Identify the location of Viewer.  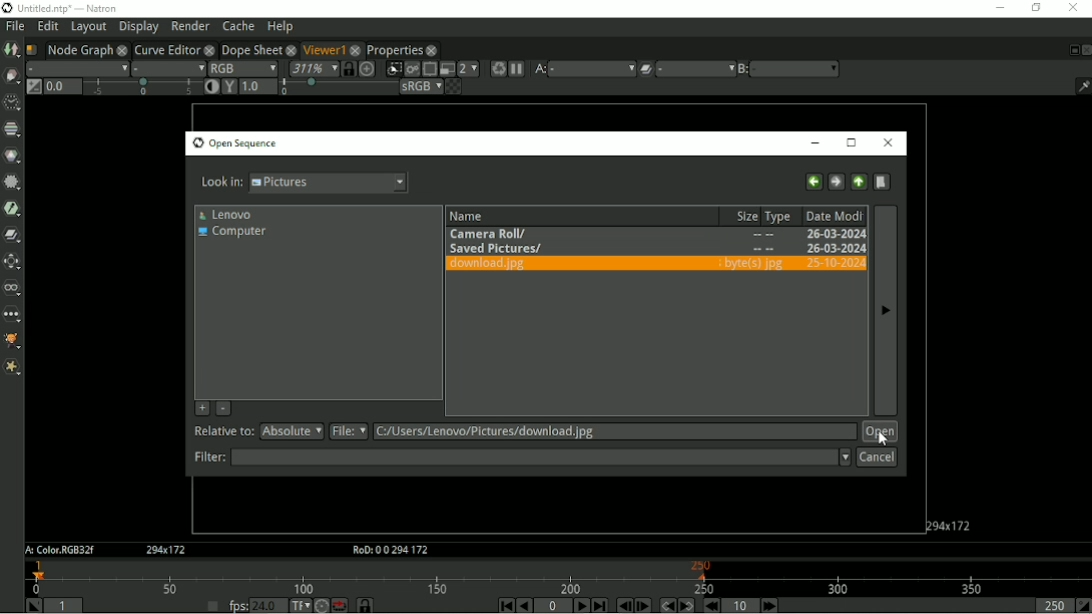
(321, 48).